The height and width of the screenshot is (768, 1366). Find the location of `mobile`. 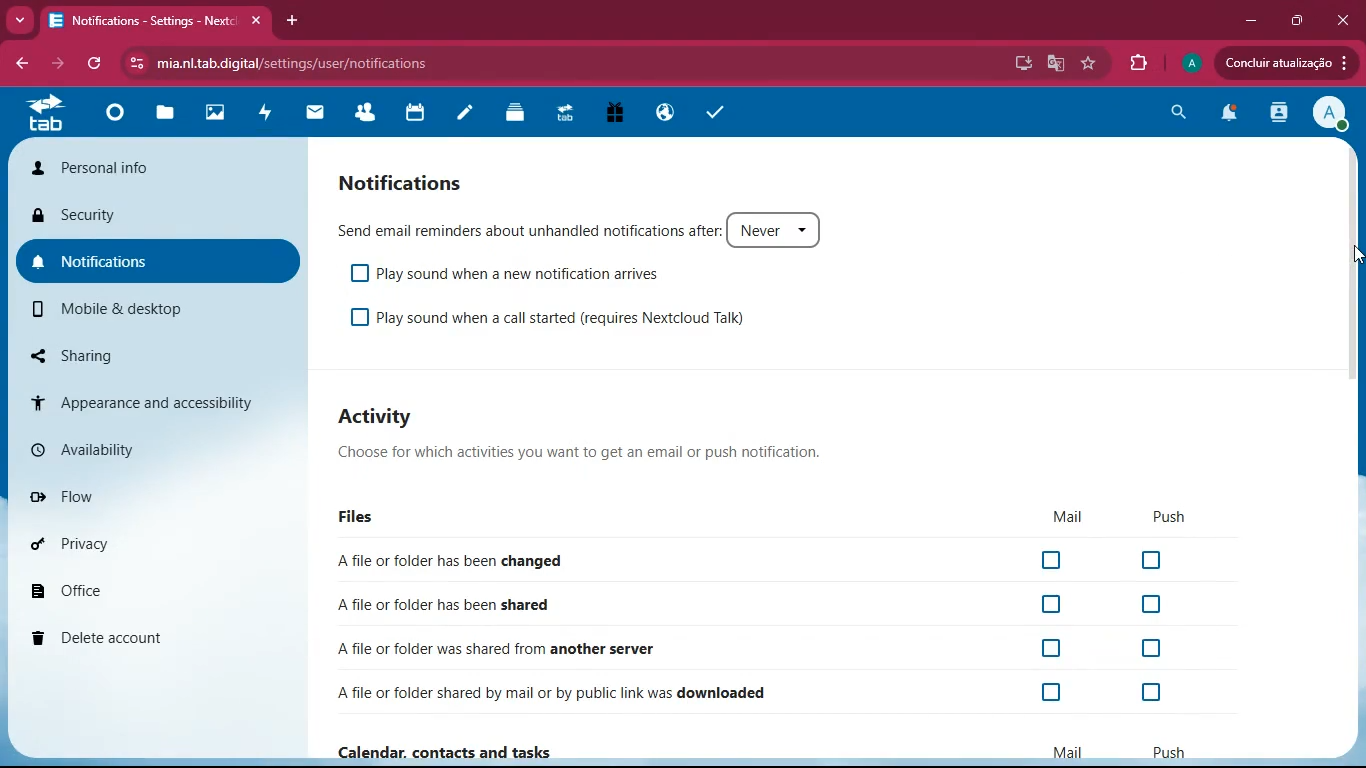

mobile is located at coordinates (142, 310).